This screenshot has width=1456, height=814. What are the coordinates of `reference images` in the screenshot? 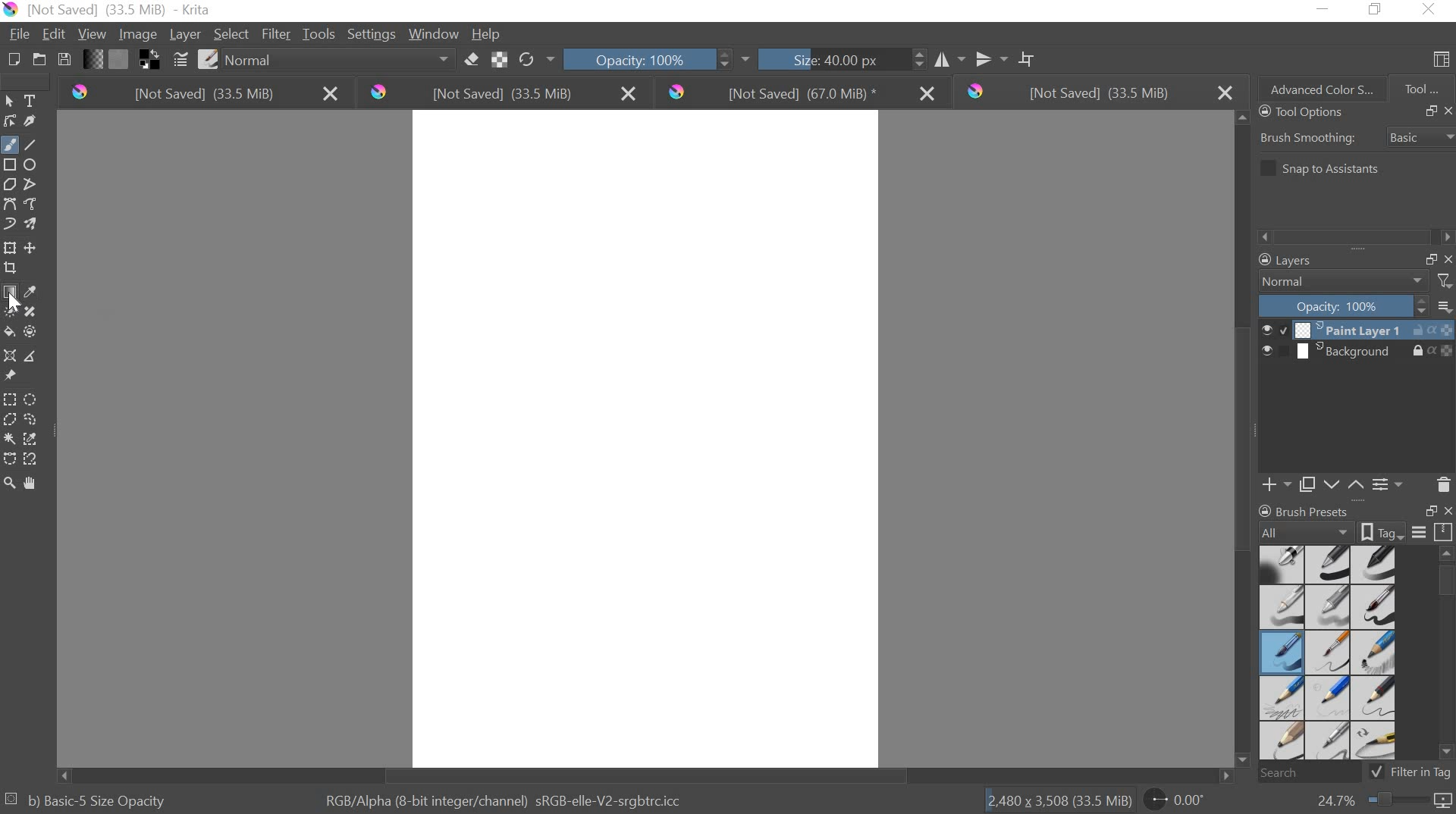 It's located at (13, 375).